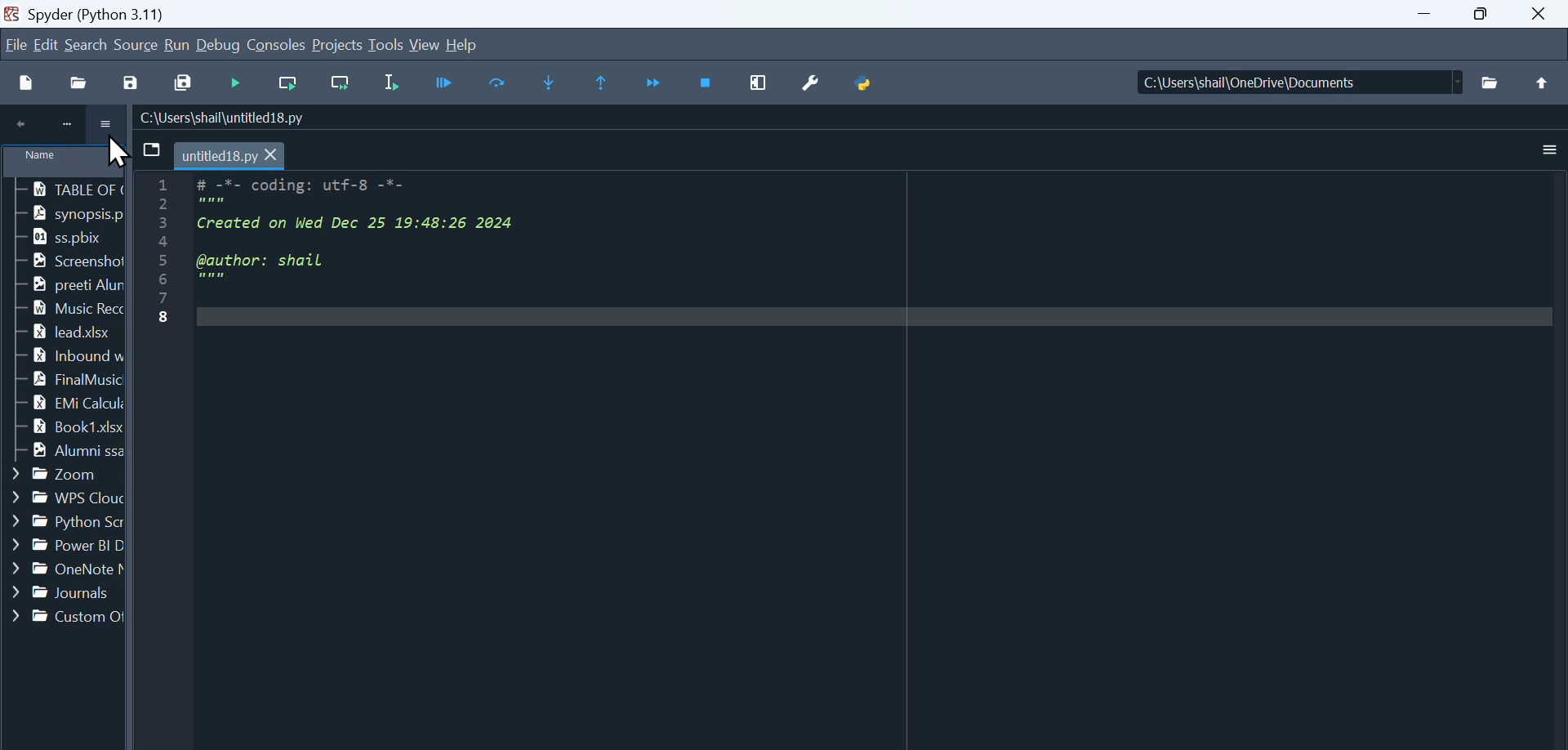 This screenshot has width=1568, height=750. What do you see at coordinates (866, 78) in the screenshot?
I see `Python path manager` at bounding box center [866, 78].